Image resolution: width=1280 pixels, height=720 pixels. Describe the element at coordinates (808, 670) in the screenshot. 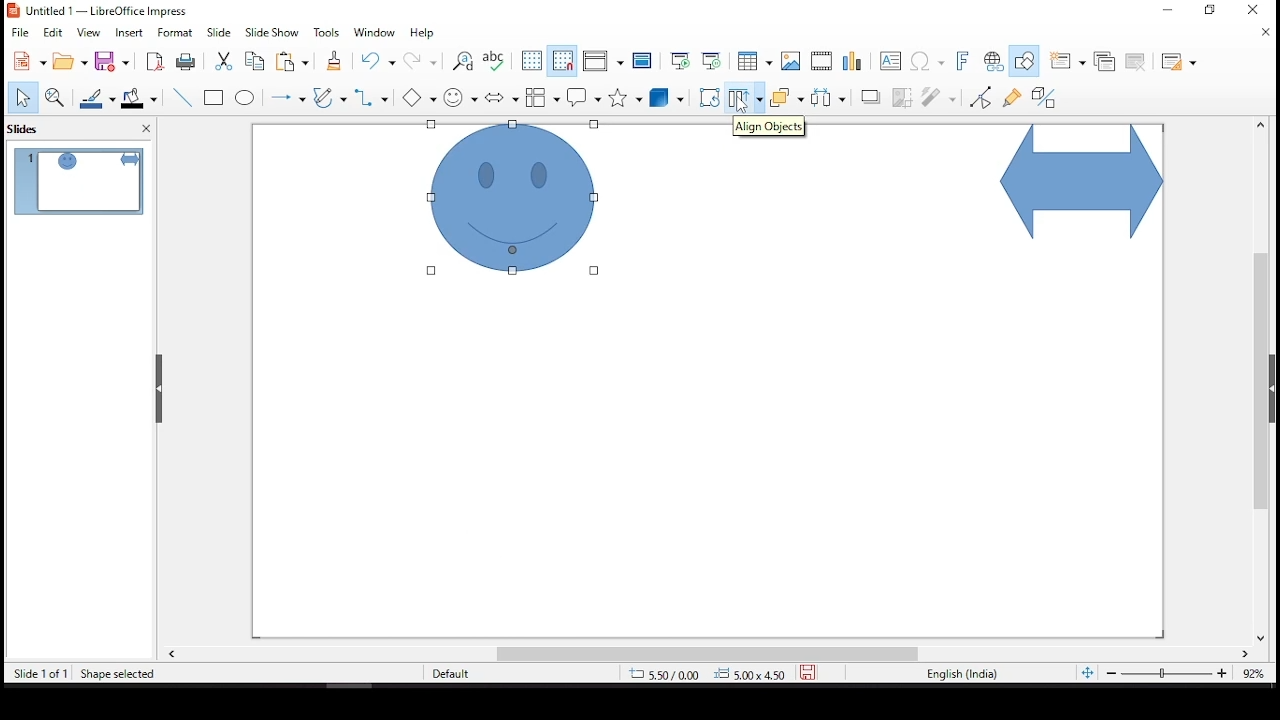

I see `save` at that location.